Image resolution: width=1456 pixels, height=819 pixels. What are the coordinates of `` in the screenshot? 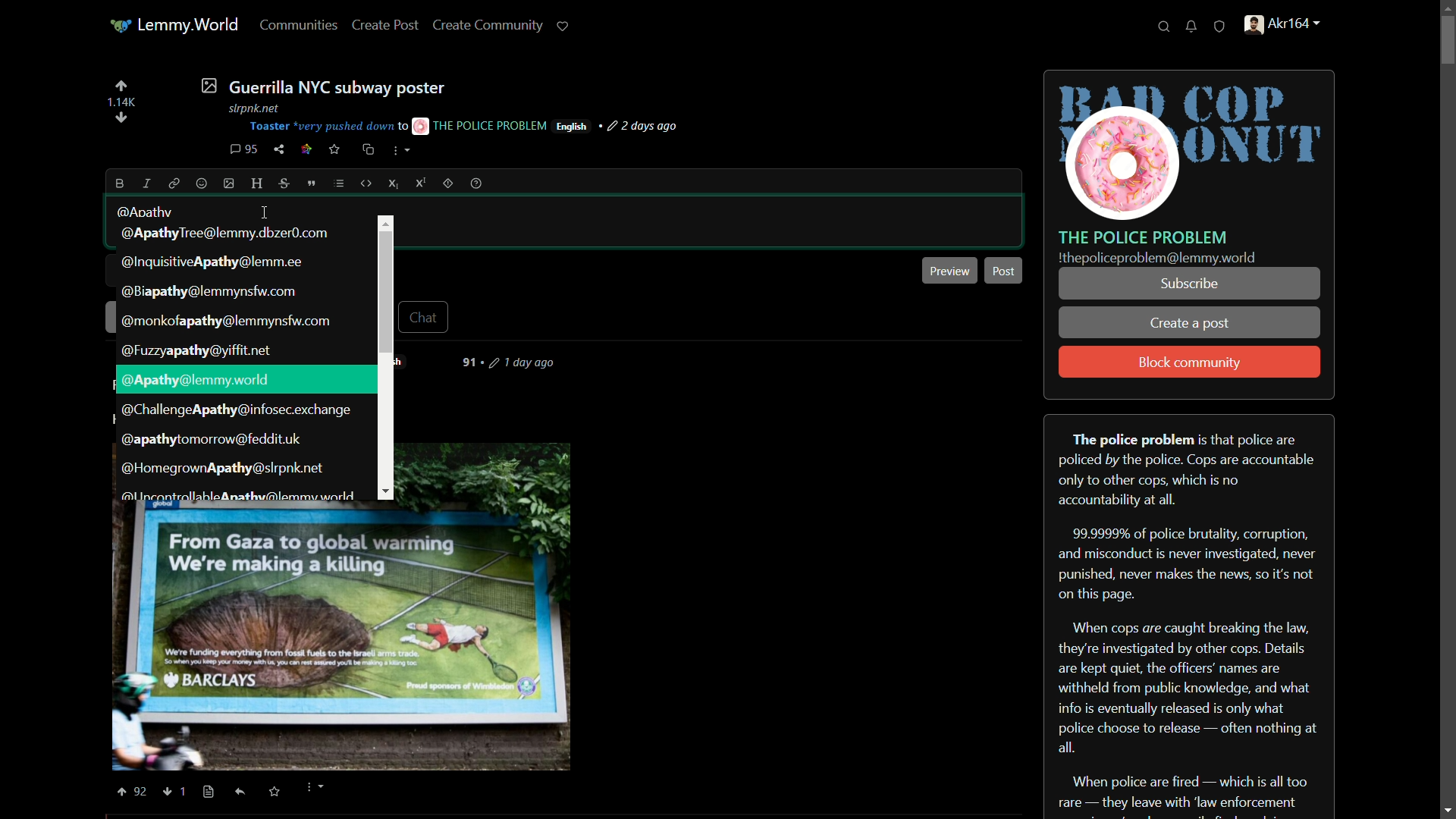 It's located at (143, 792).